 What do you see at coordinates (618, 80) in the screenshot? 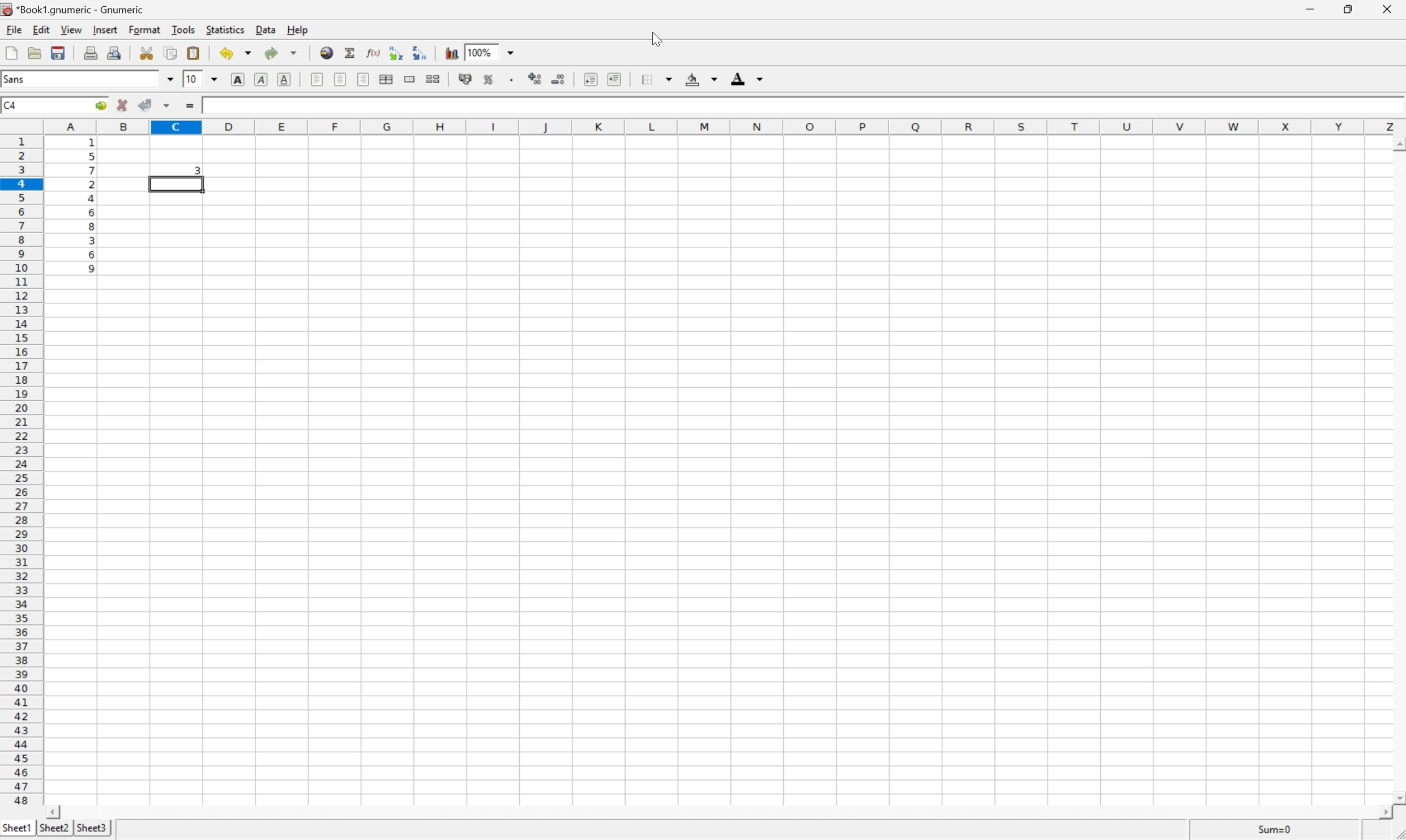
I see `increase indent` at bounding box center [618, 80].